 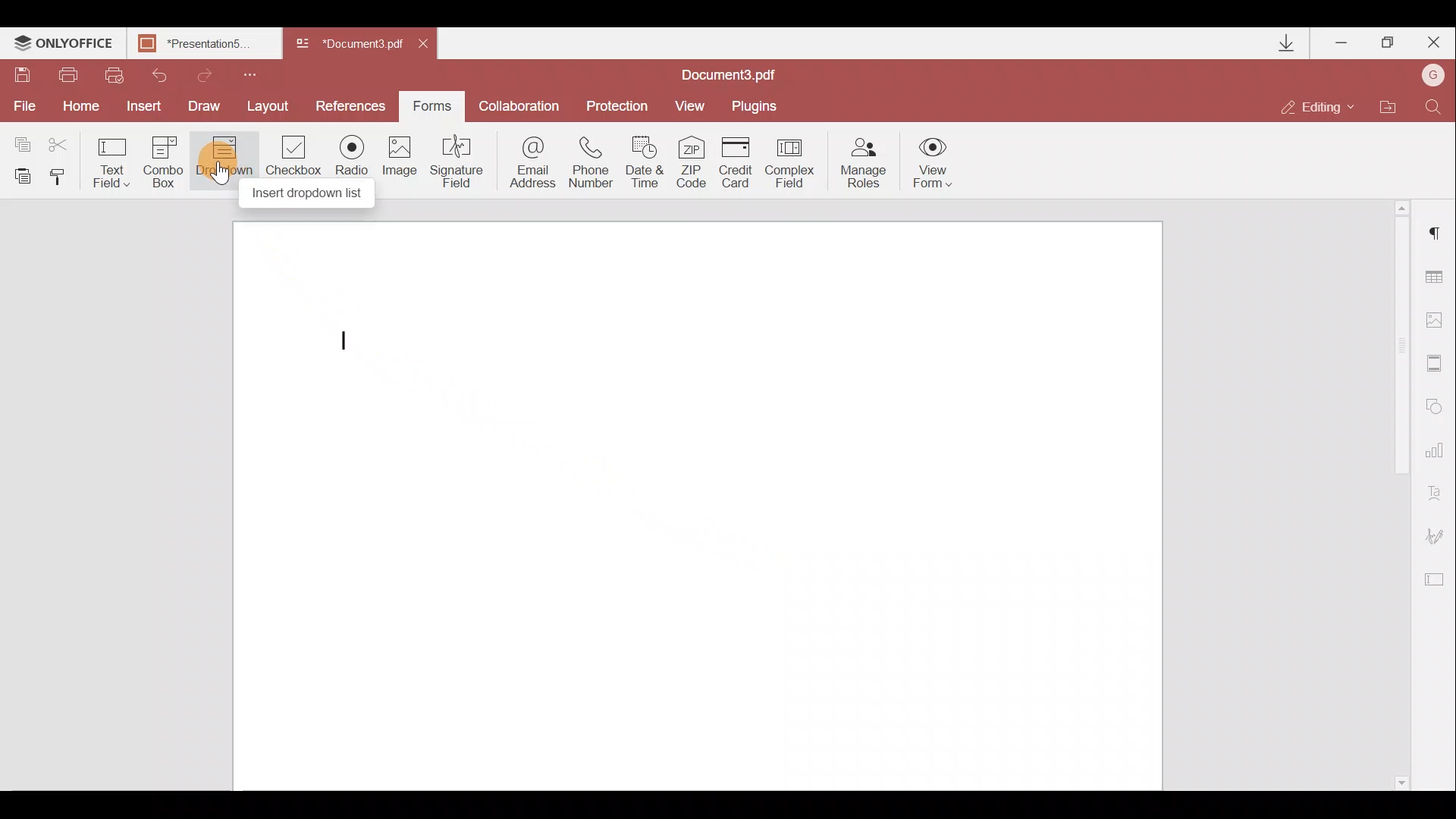 I want to click on Scroll down, so click(x=1401, y=783).